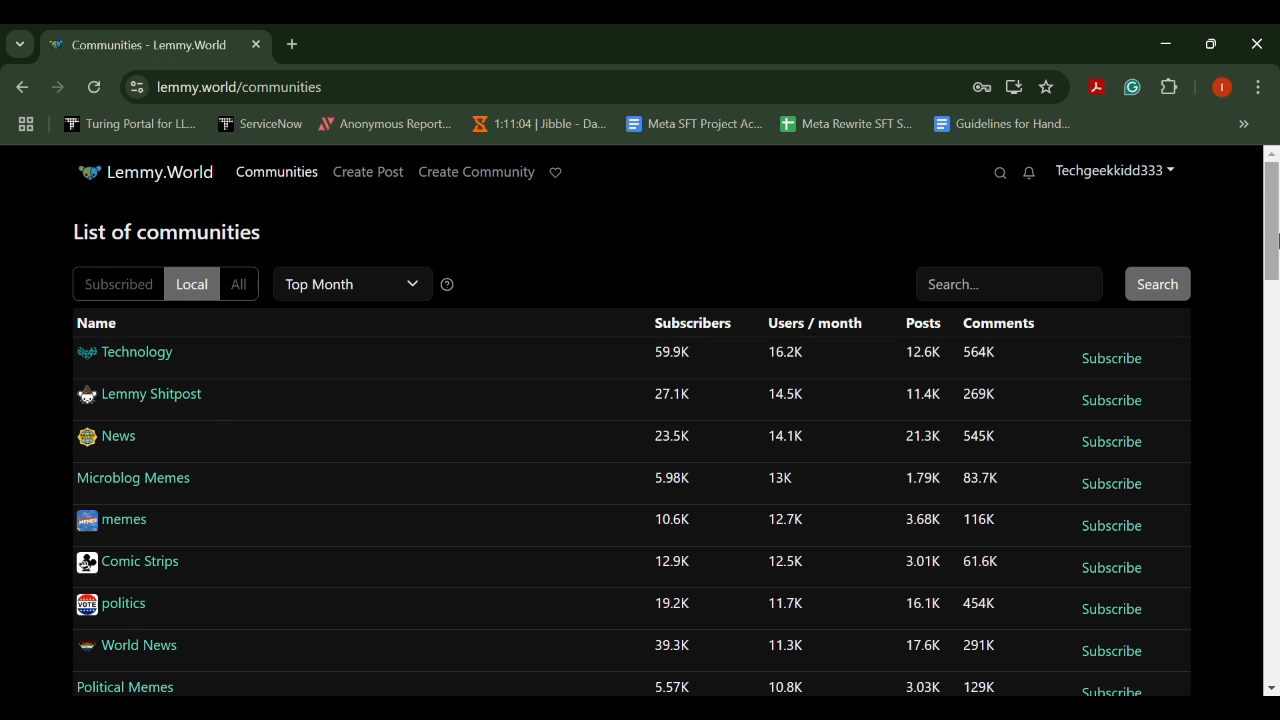 Image resolution: width=1280 pixels, height=720 pixels. Describe the element at coordinates (242, 86) in the screenshot. I see `lemmy.world/communities` at that location.